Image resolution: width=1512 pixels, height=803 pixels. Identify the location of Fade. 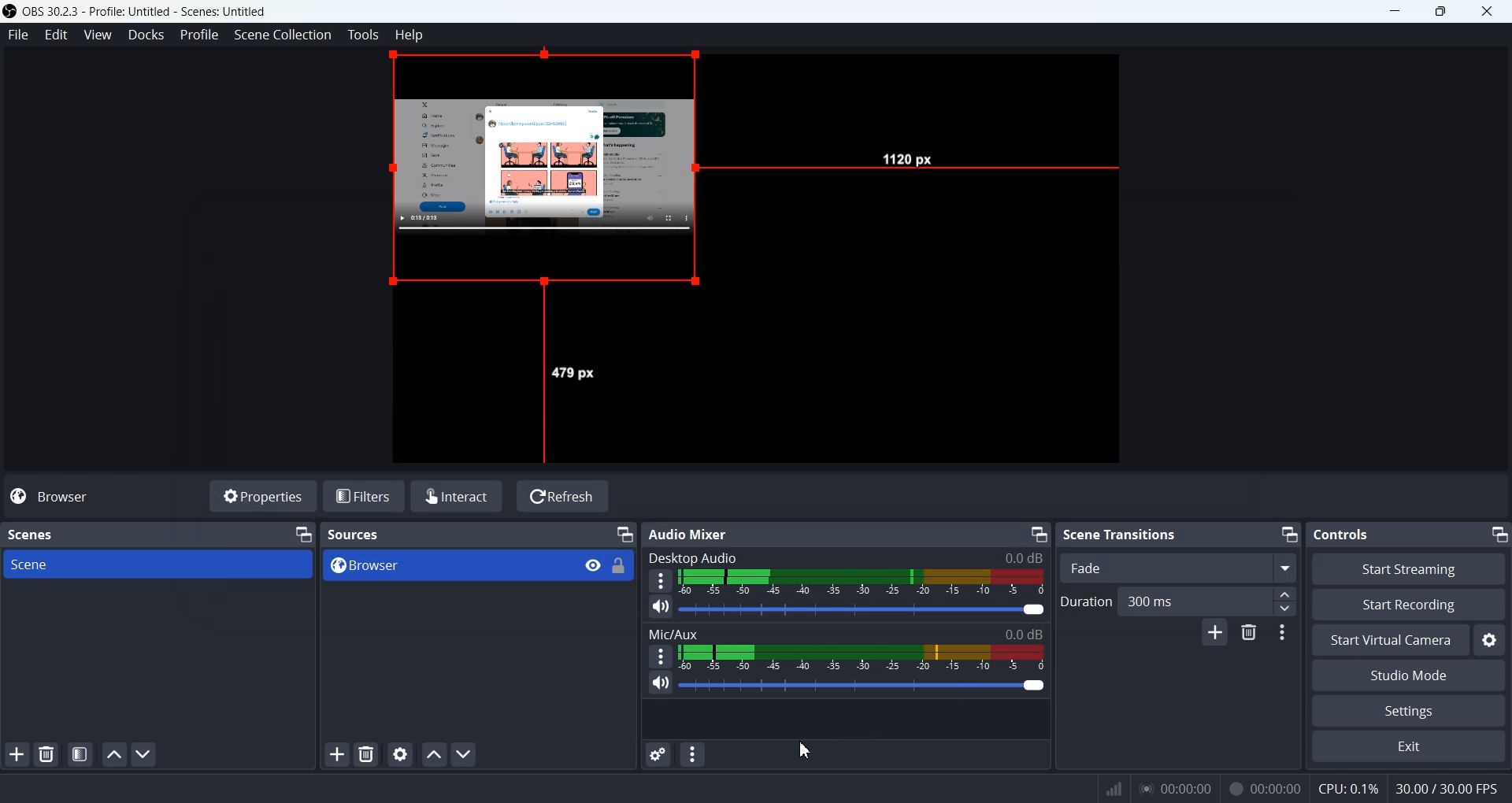
(1180, 568).